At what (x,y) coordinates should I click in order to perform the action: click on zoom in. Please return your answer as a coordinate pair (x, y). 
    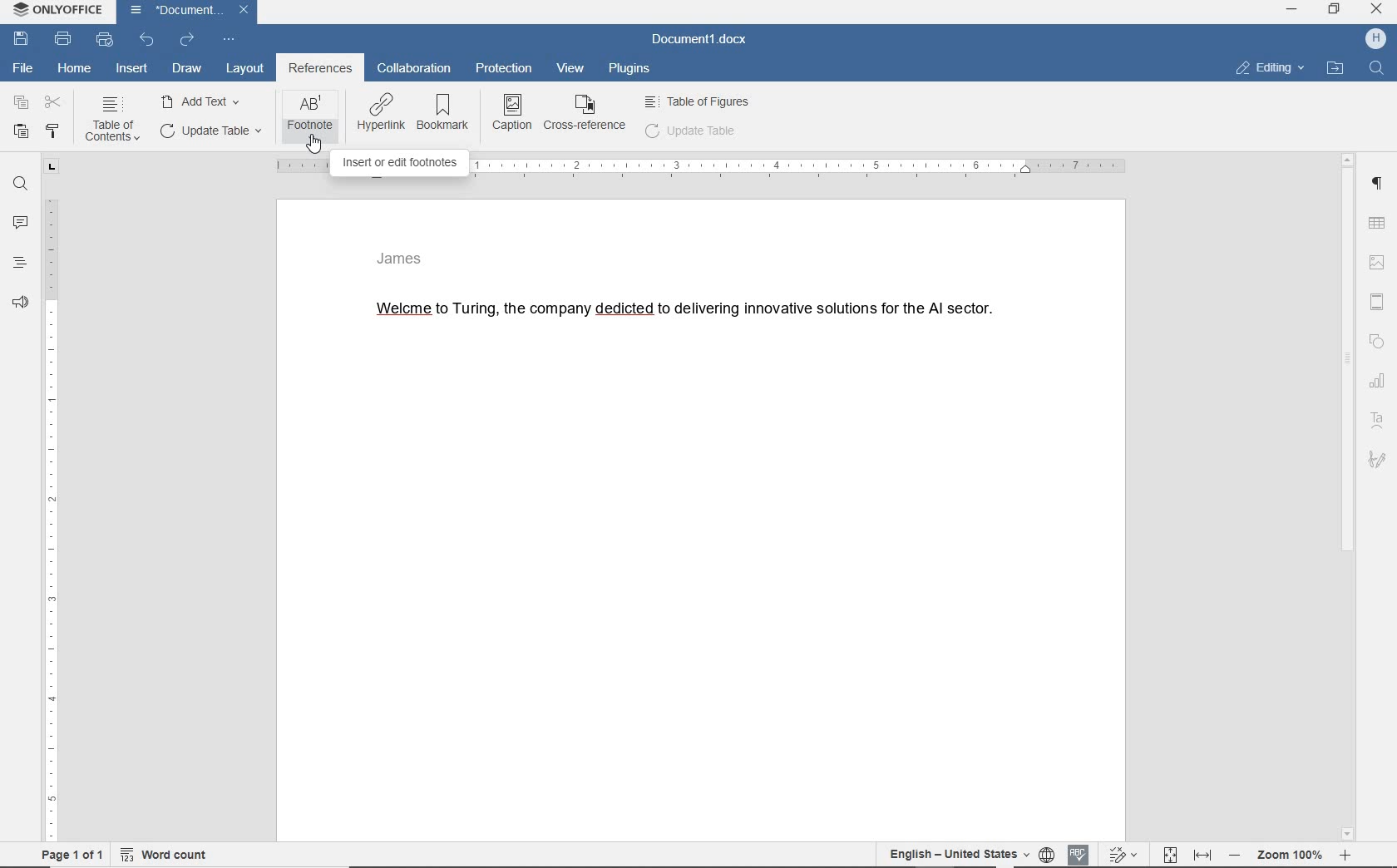
    Looking at the image, I should click on (1345, 855).